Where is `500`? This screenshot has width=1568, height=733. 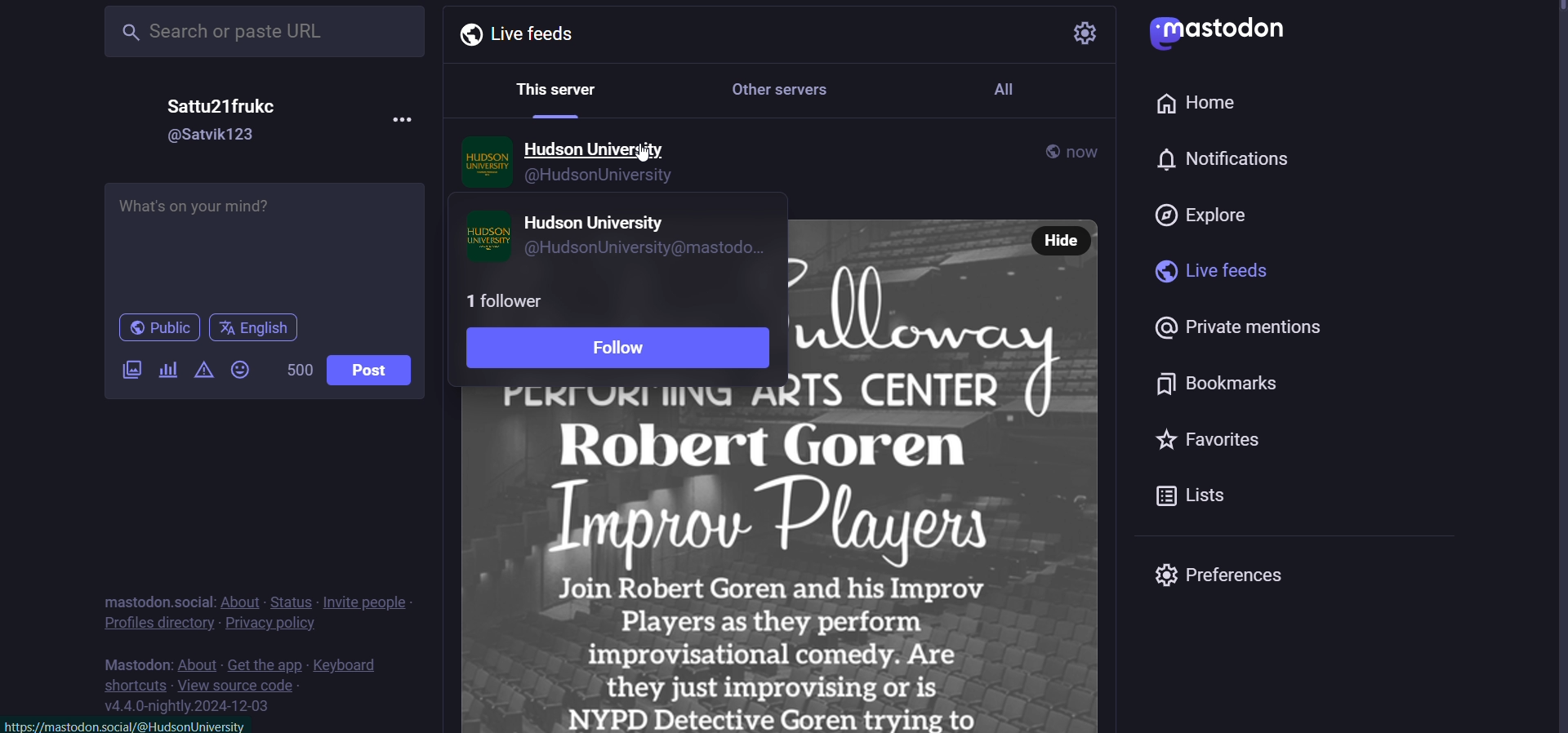
500 is located at coordinates (298, 371).